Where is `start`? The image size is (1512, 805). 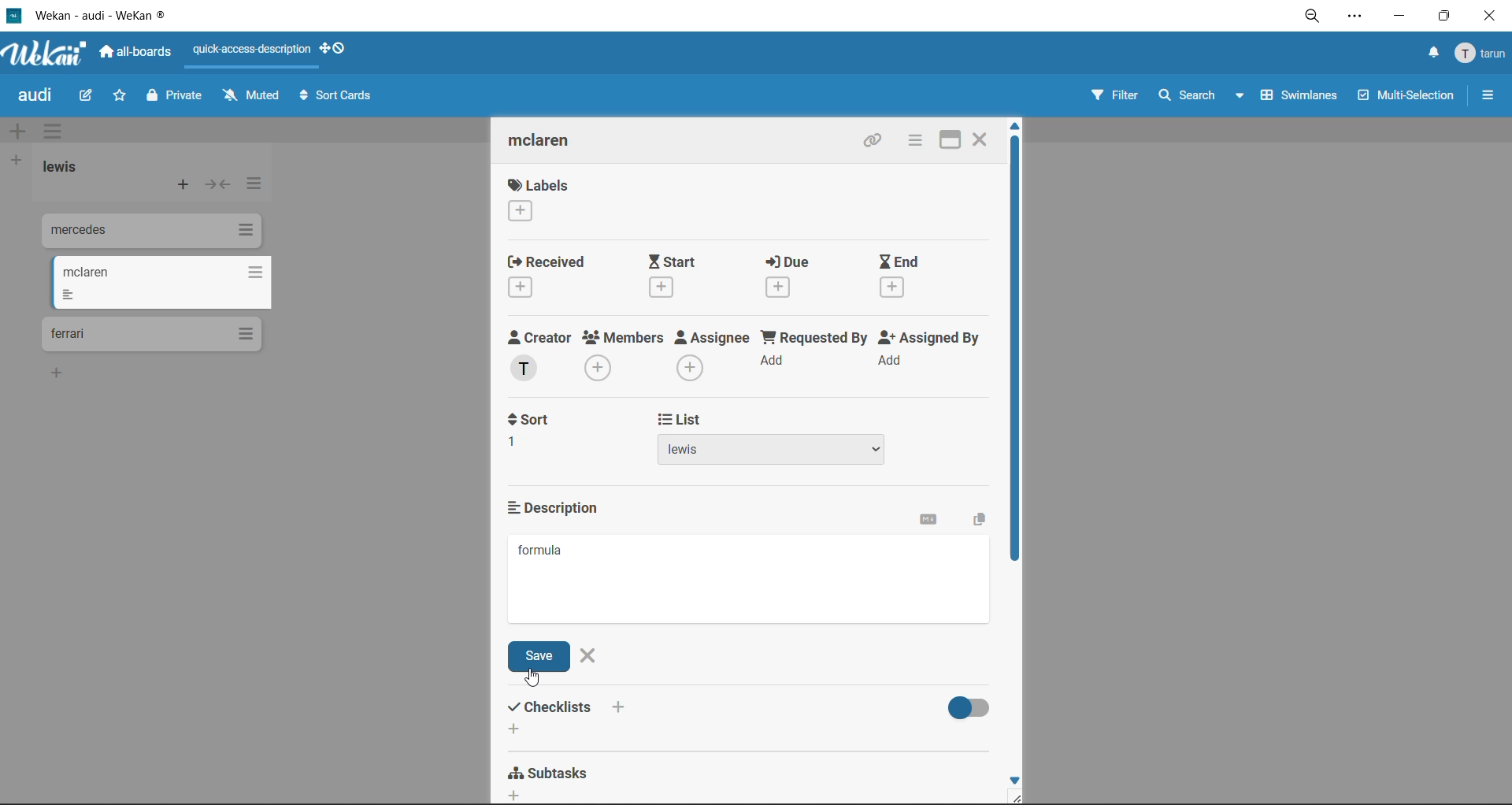
start is located at coordinates (678, 276).